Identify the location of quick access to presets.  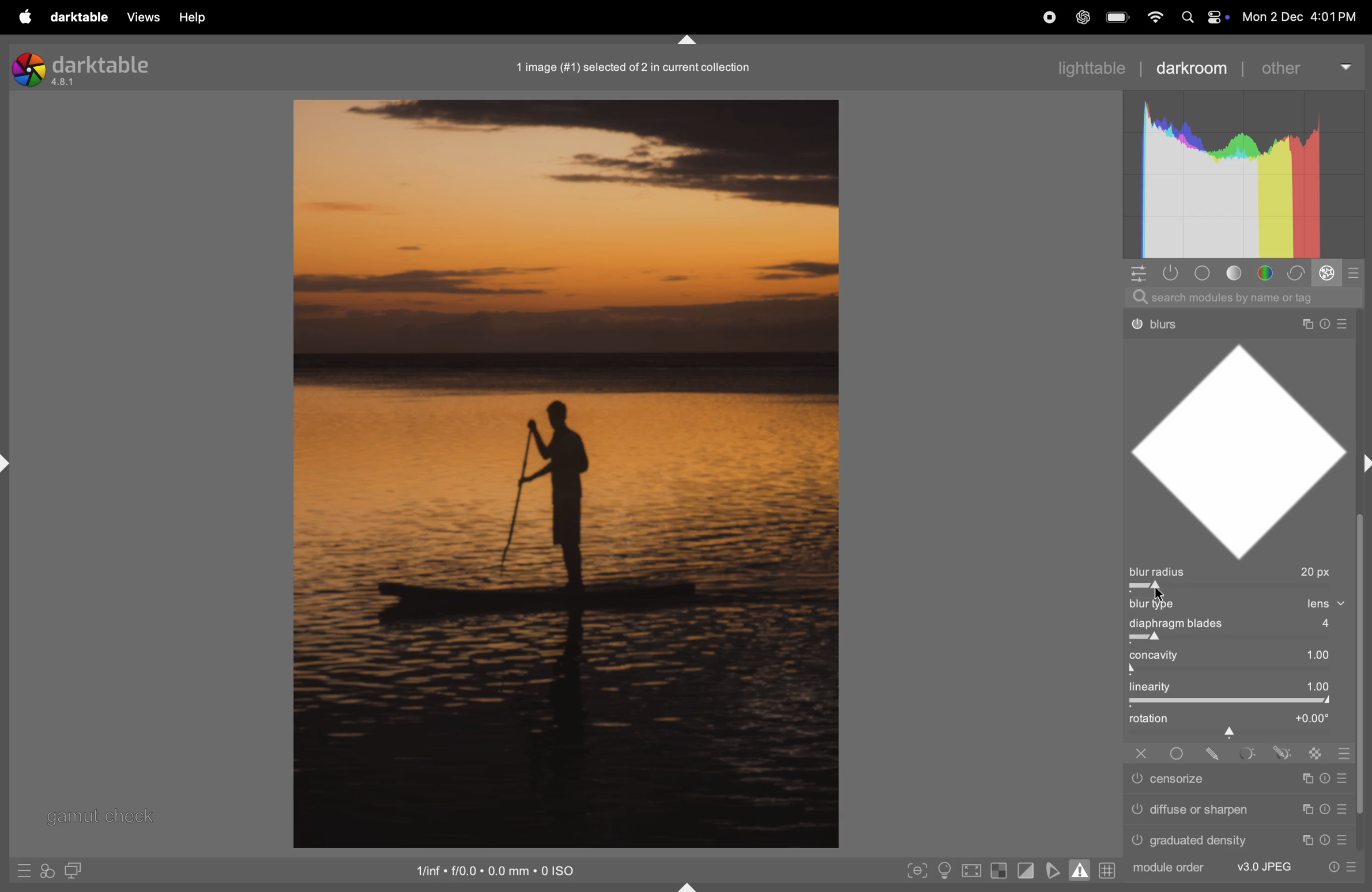
(25, 872).